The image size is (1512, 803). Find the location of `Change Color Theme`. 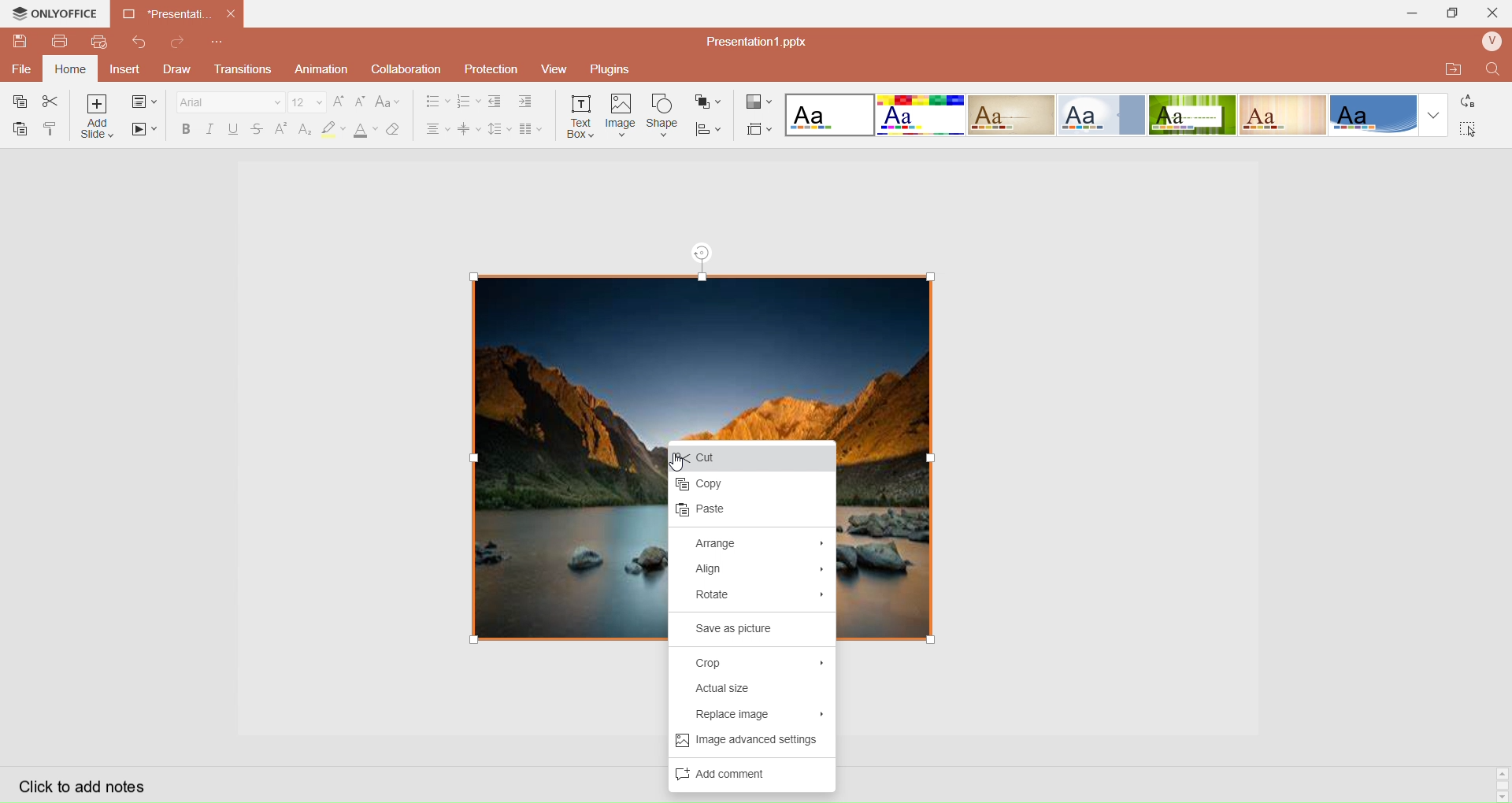

Change Color Theme is located at coordinates (758, 100).